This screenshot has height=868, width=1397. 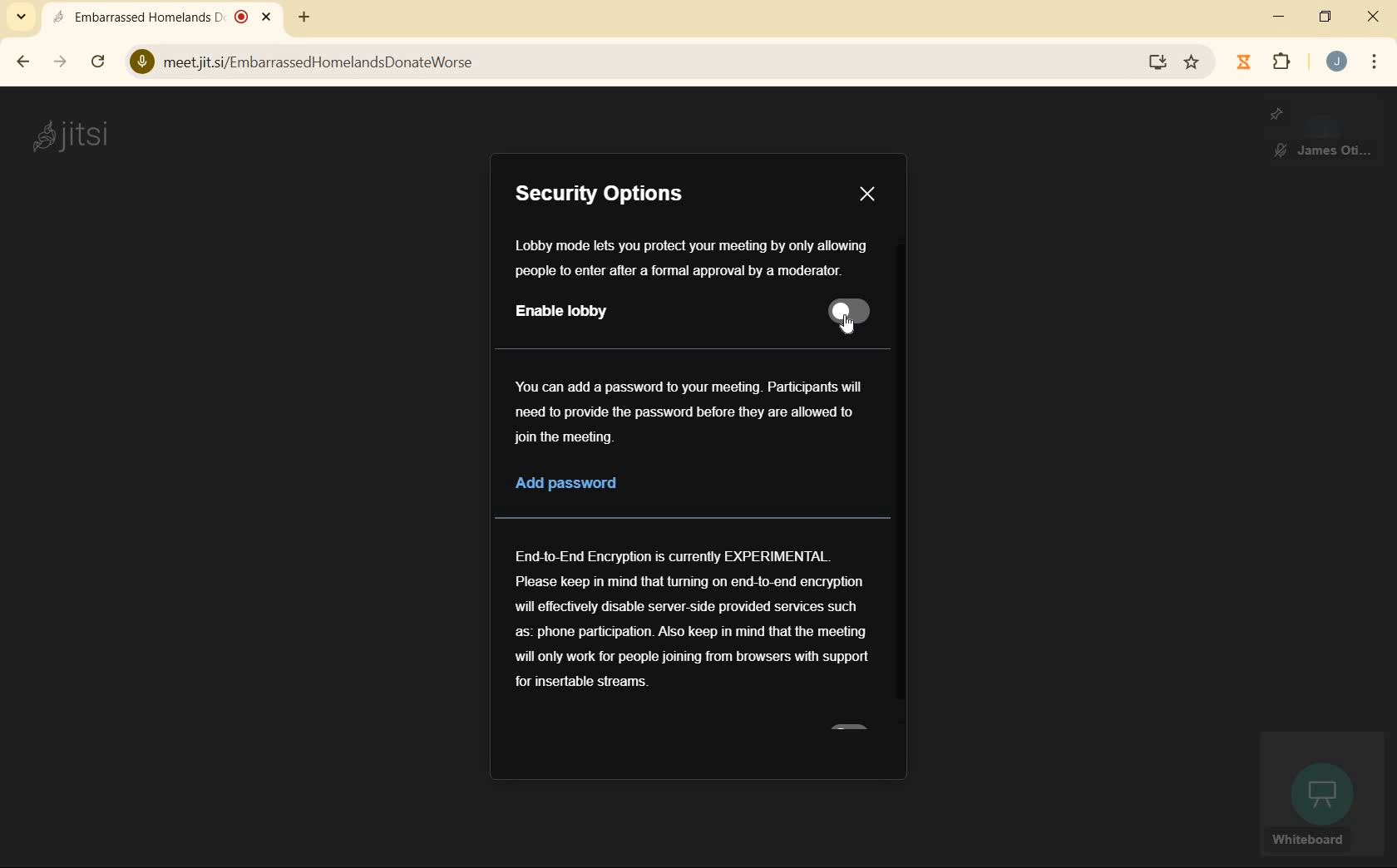 I want to click on cursor, so click(x=852, y=326).